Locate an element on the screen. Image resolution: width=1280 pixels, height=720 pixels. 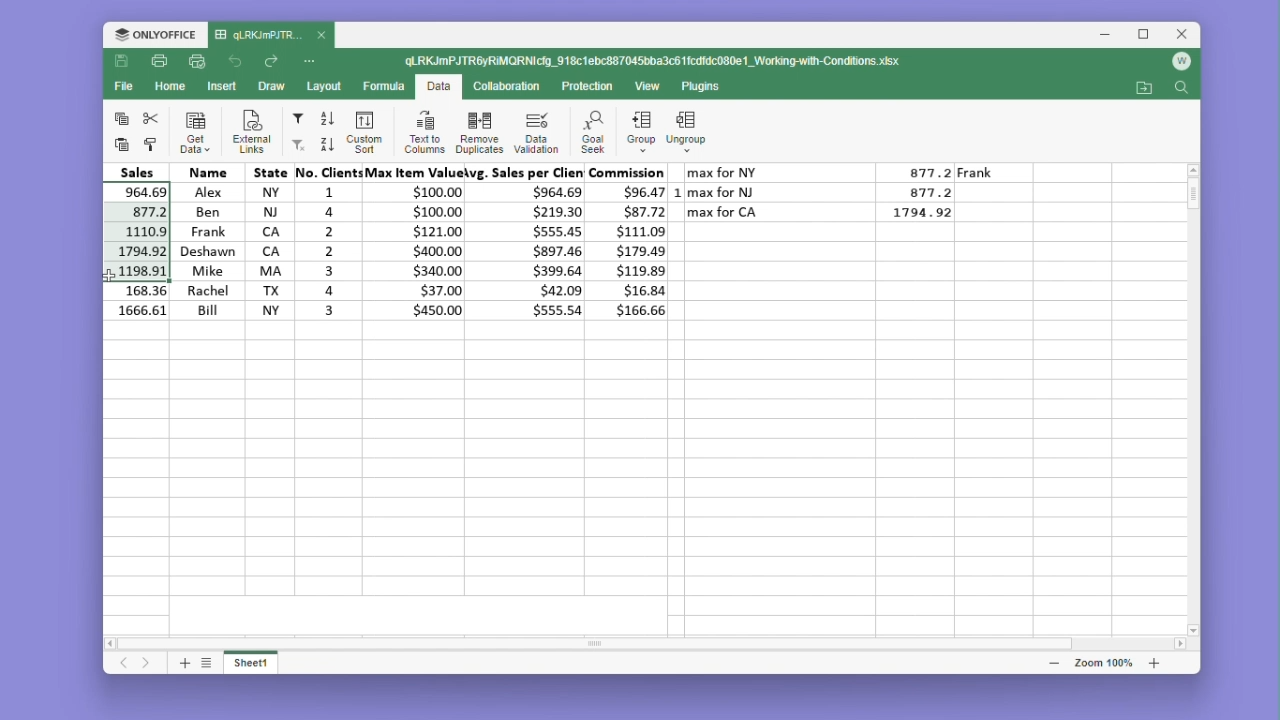
Ungroup is located at coordinates (687, 133).